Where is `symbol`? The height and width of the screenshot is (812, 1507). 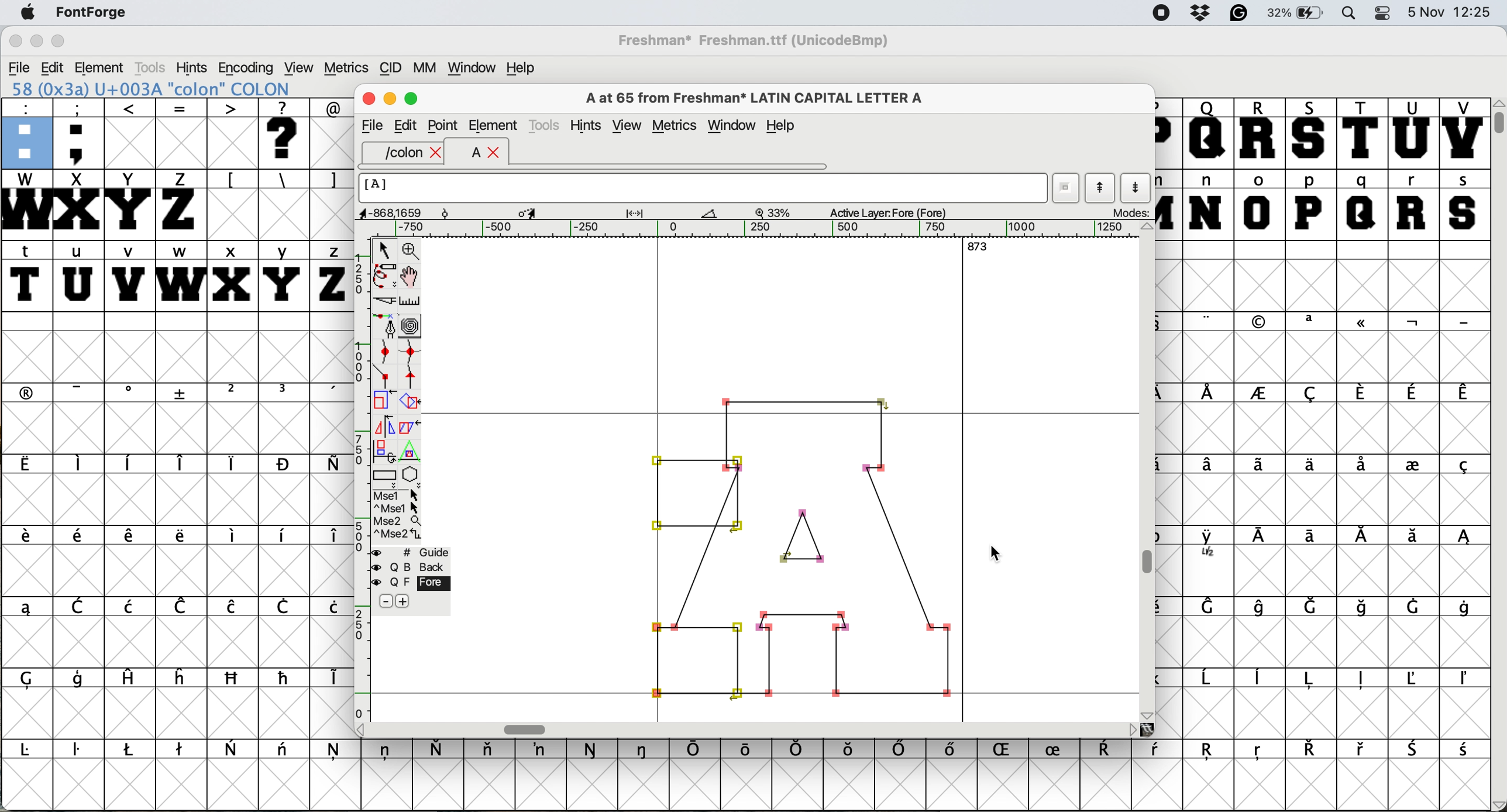
symbol is located at coordinates (27, 465).